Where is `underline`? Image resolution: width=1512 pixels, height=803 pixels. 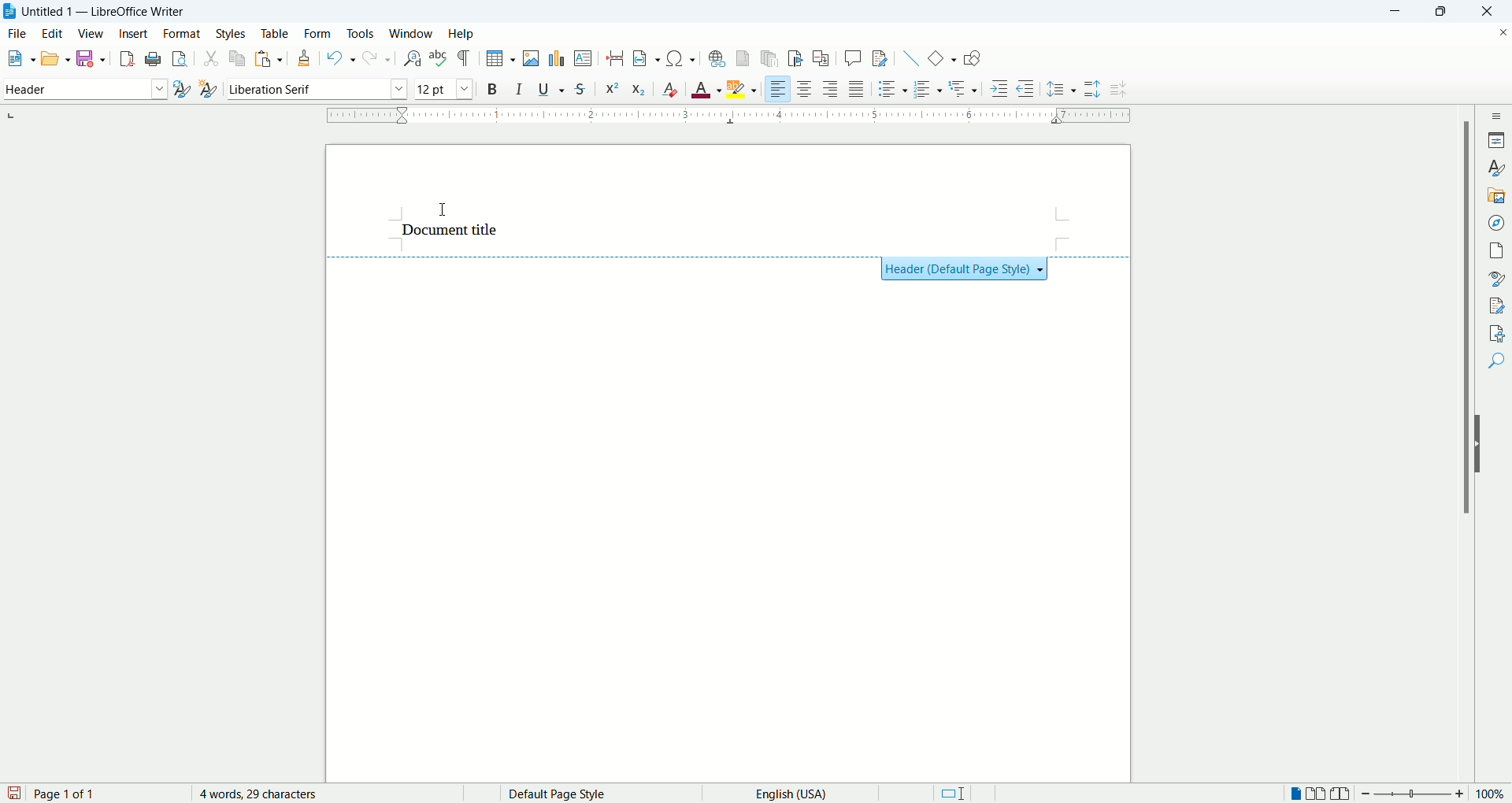
underline is located at coordinates (552, 91).